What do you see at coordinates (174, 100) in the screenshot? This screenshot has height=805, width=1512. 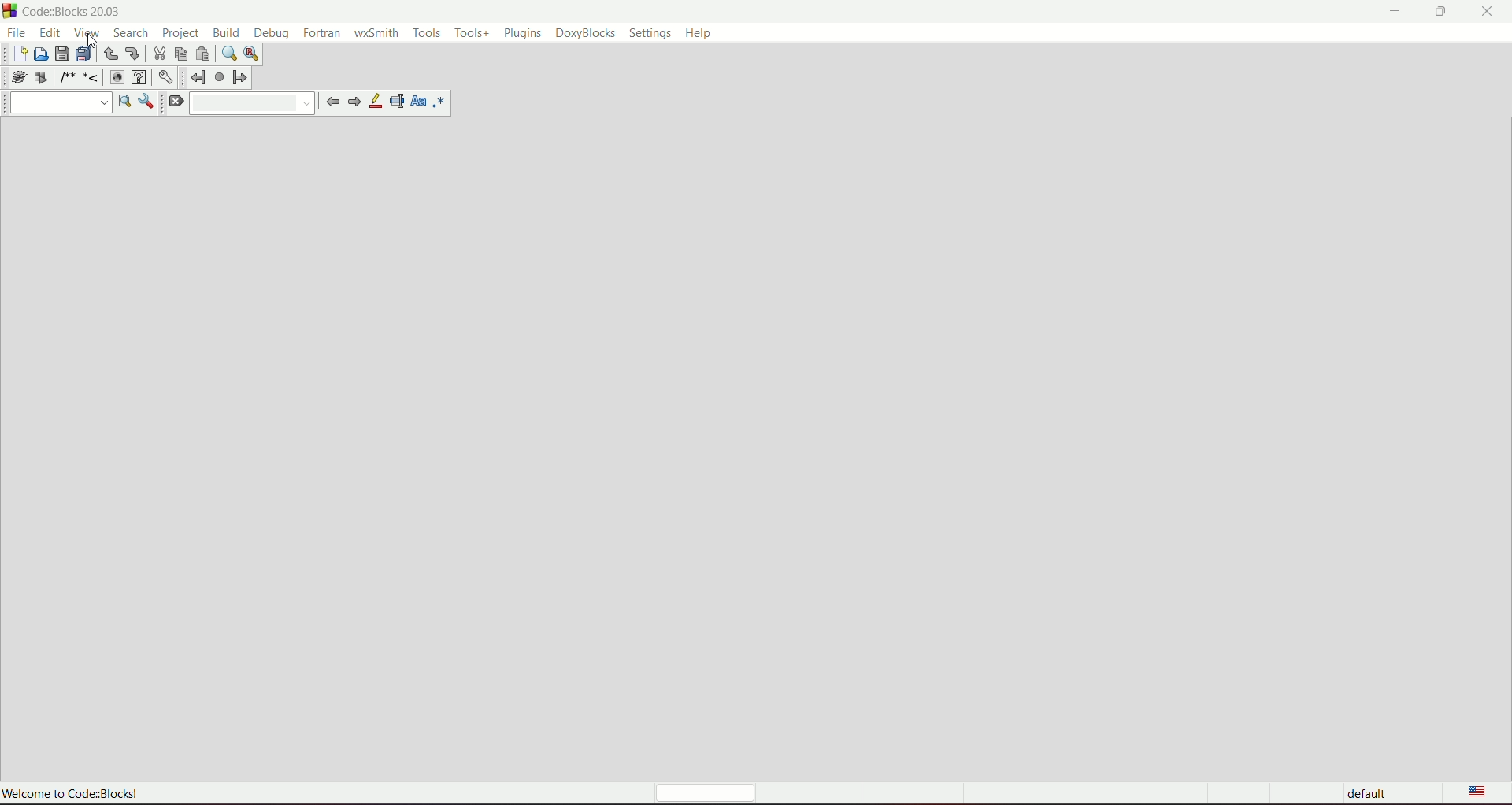 I see `clear` at bounding box center [174, 100].